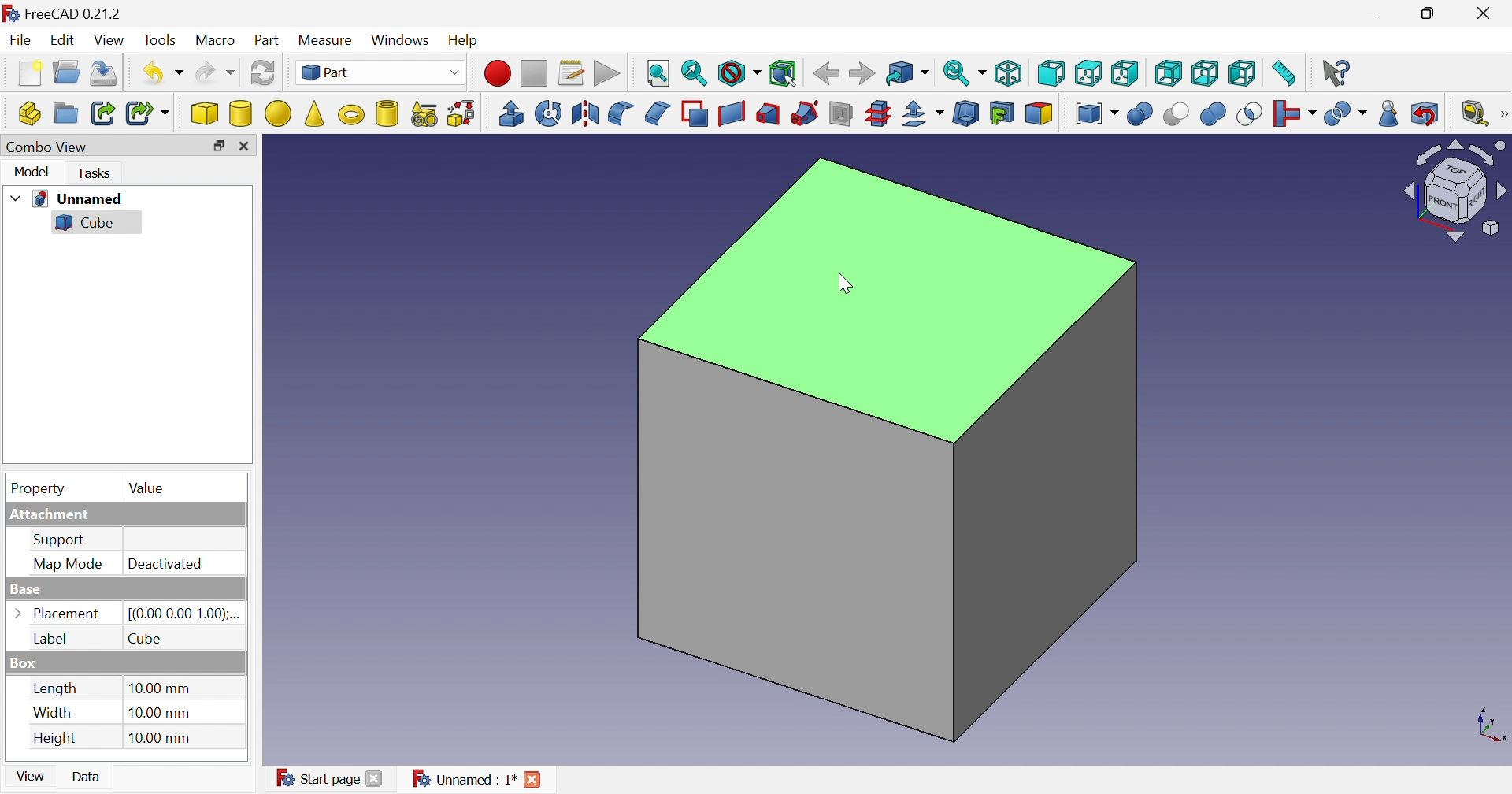  I want to click on Isometric, so click(1007, 72).